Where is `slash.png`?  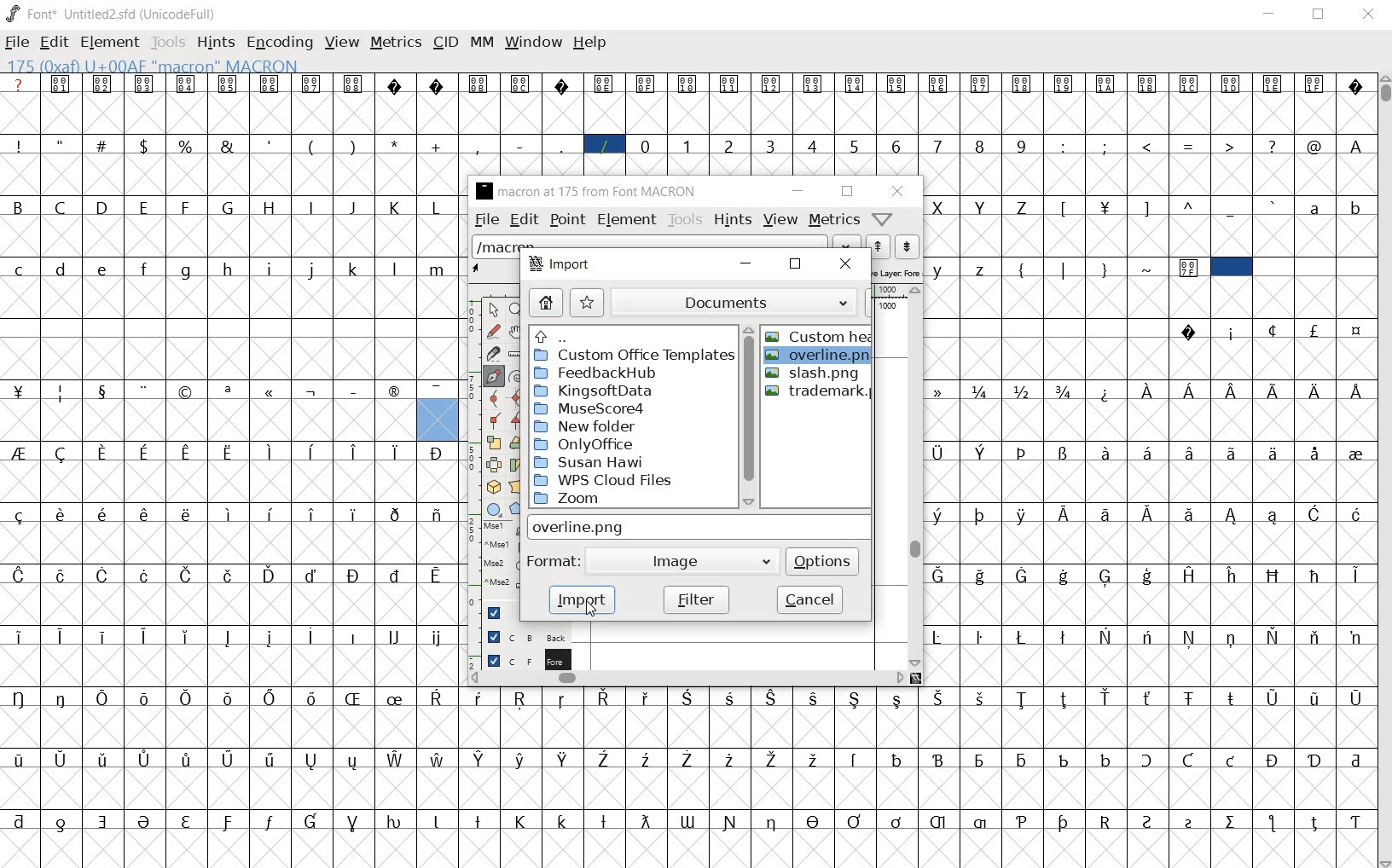
slash.png is located at coordinates (824, 374).